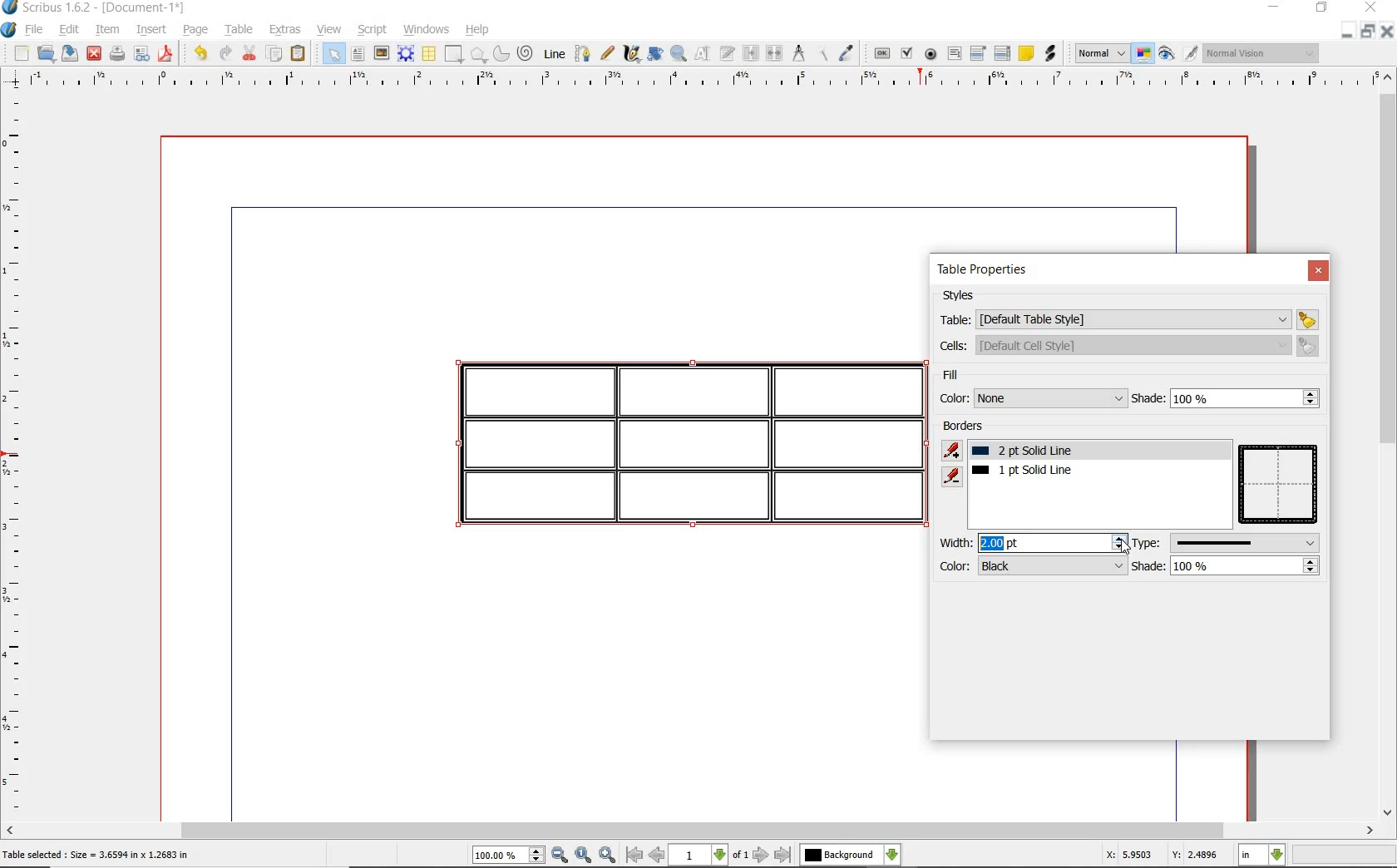 The width and height of the screenshot is (1397, 868). What do you see at coordinates (1223, 565) in the screenshot?
I see `shade` at bounding box center [1223, 565].